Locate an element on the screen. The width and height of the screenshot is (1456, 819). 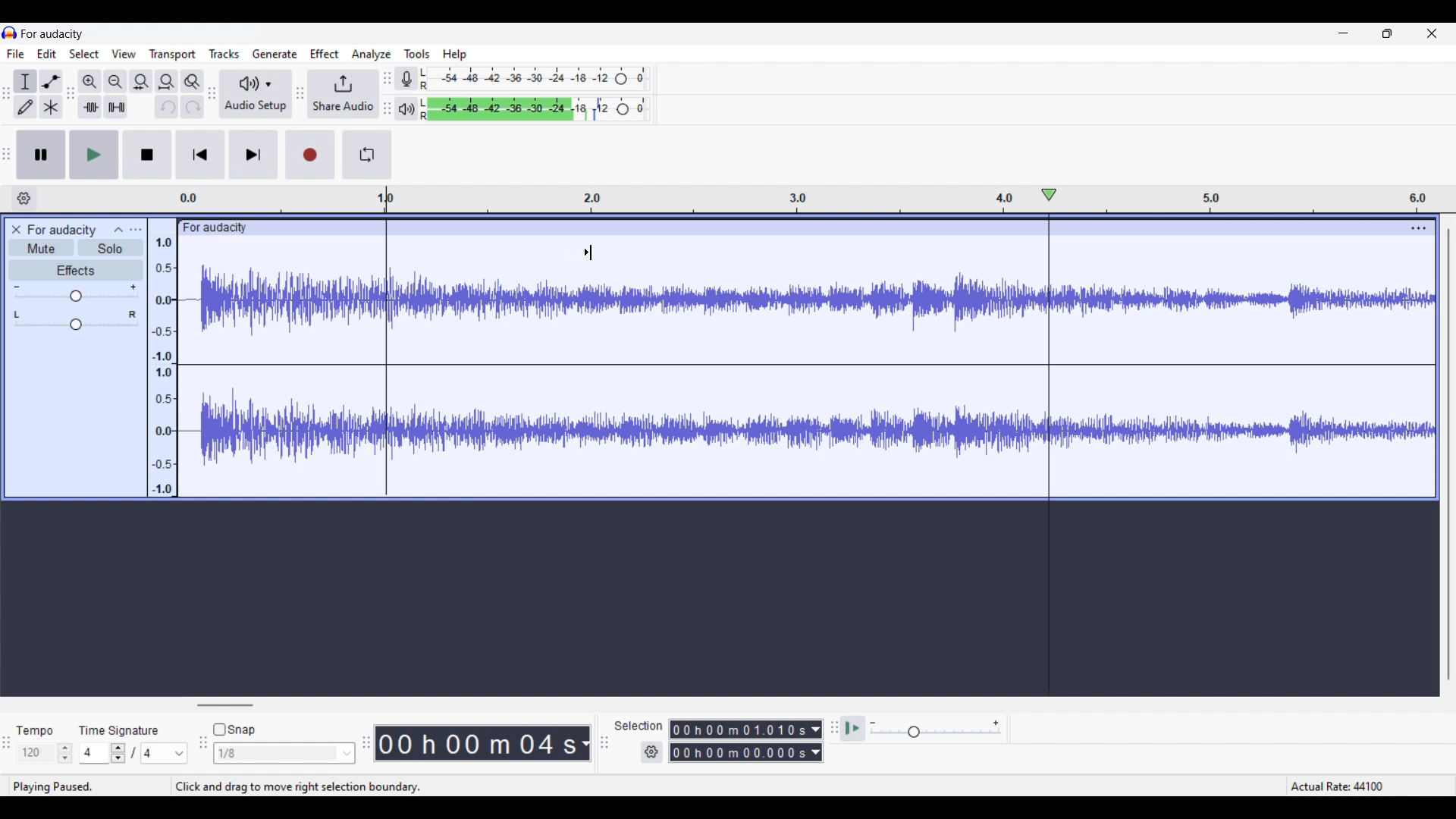
Close track is located at coordinates (16, 230).